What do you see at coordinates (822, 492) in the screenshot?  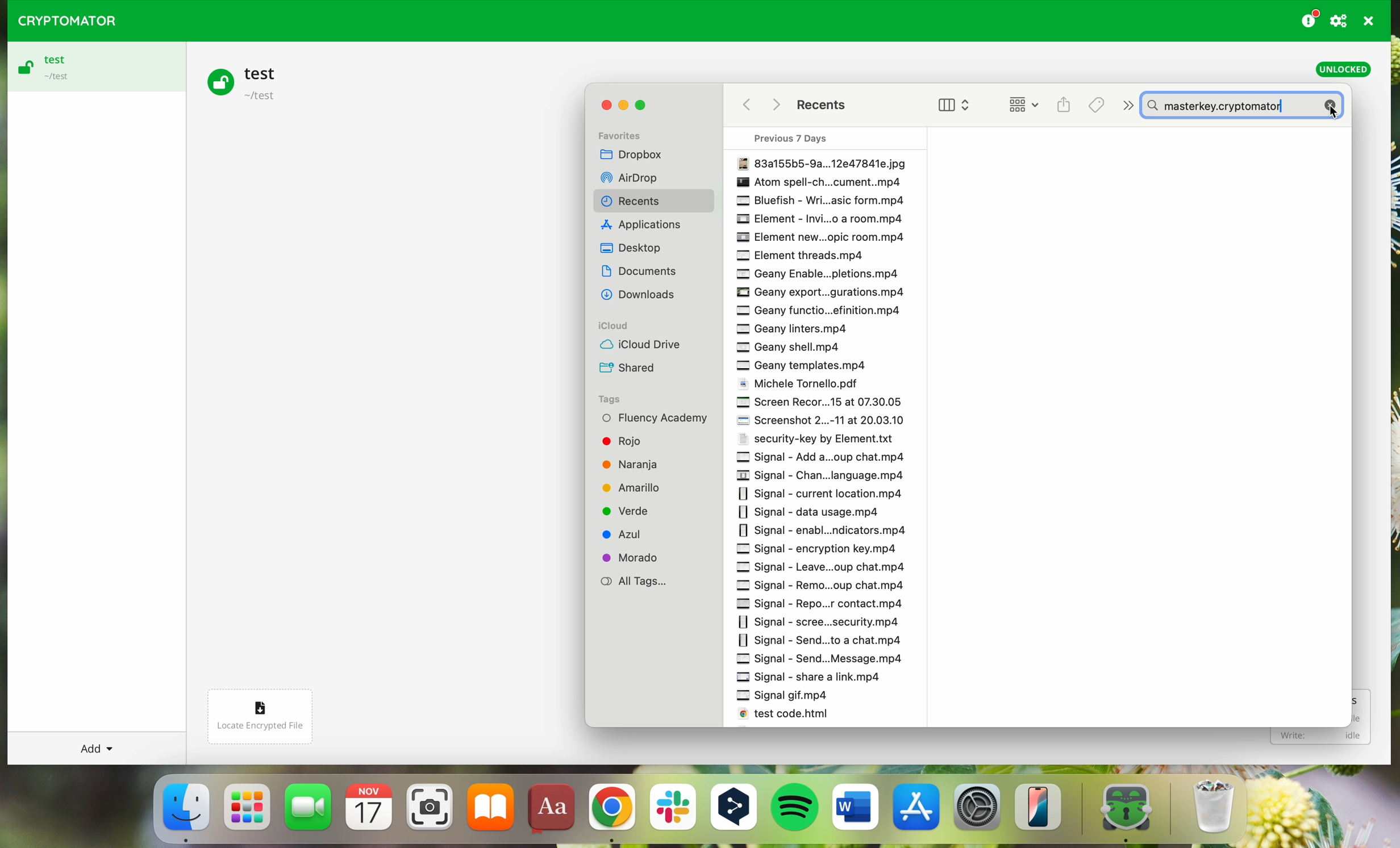 I see `signal current location` at bounding box center [822, 492].